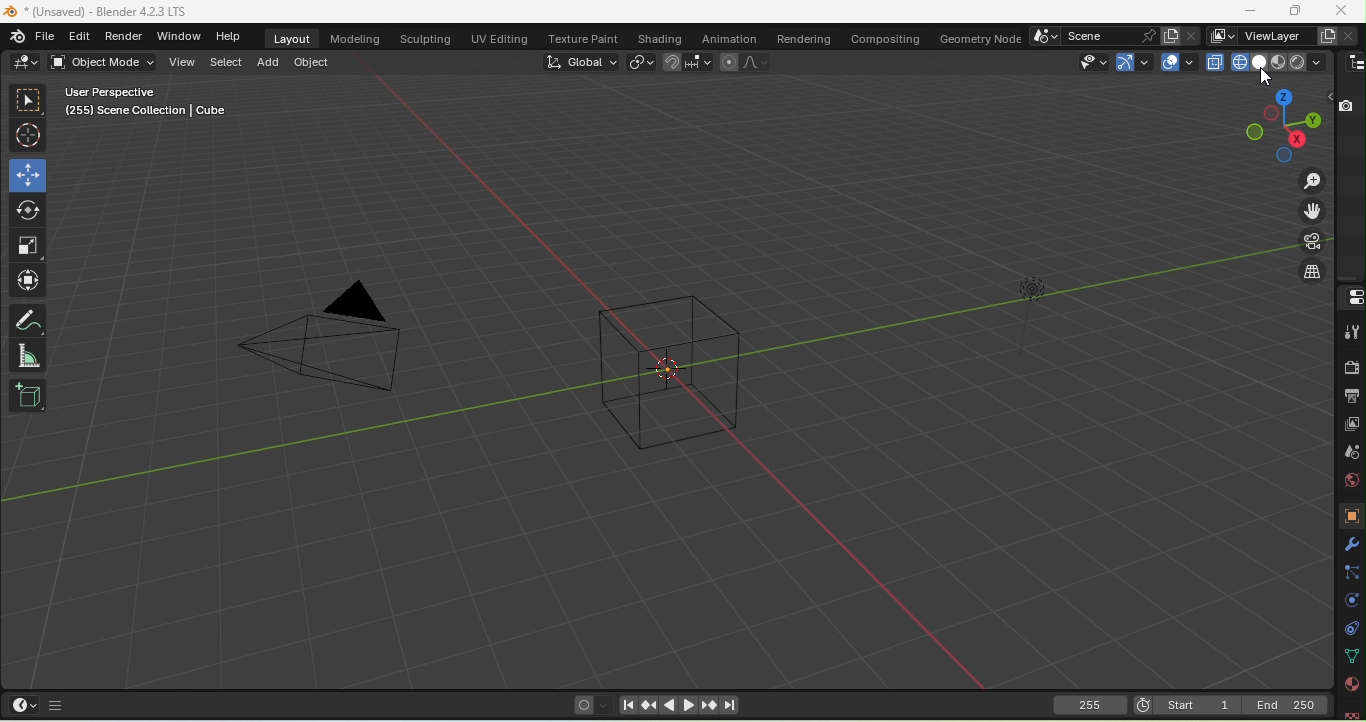 This screenshot has width=1366, height=722. Describe the element at coordinates (1265, 78) in the screenshot. I see `Cursor` at that location.